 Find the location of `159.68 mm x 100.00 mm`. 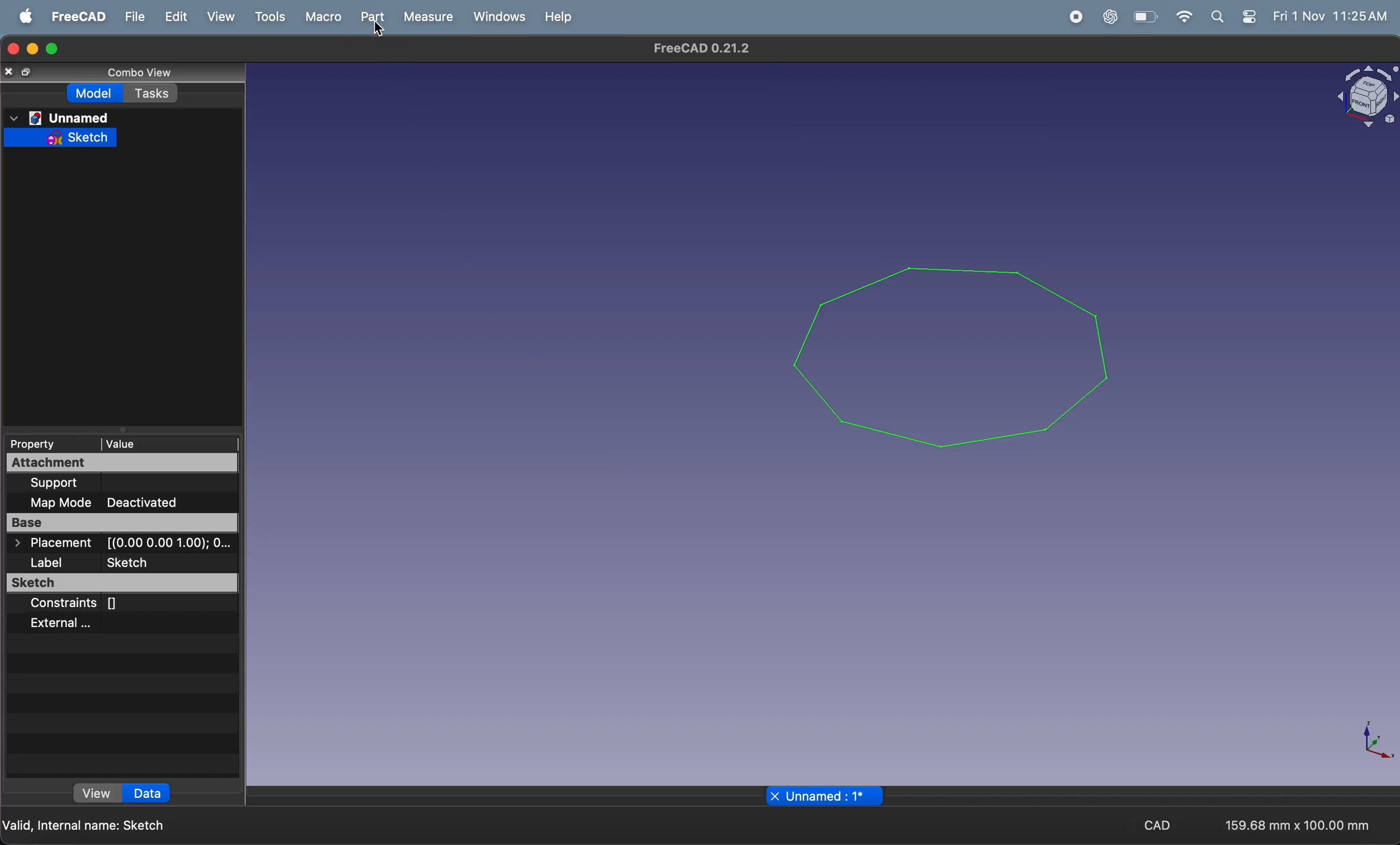

159.68 mm x 100.00 mm is located at coordinates (1295, 824).